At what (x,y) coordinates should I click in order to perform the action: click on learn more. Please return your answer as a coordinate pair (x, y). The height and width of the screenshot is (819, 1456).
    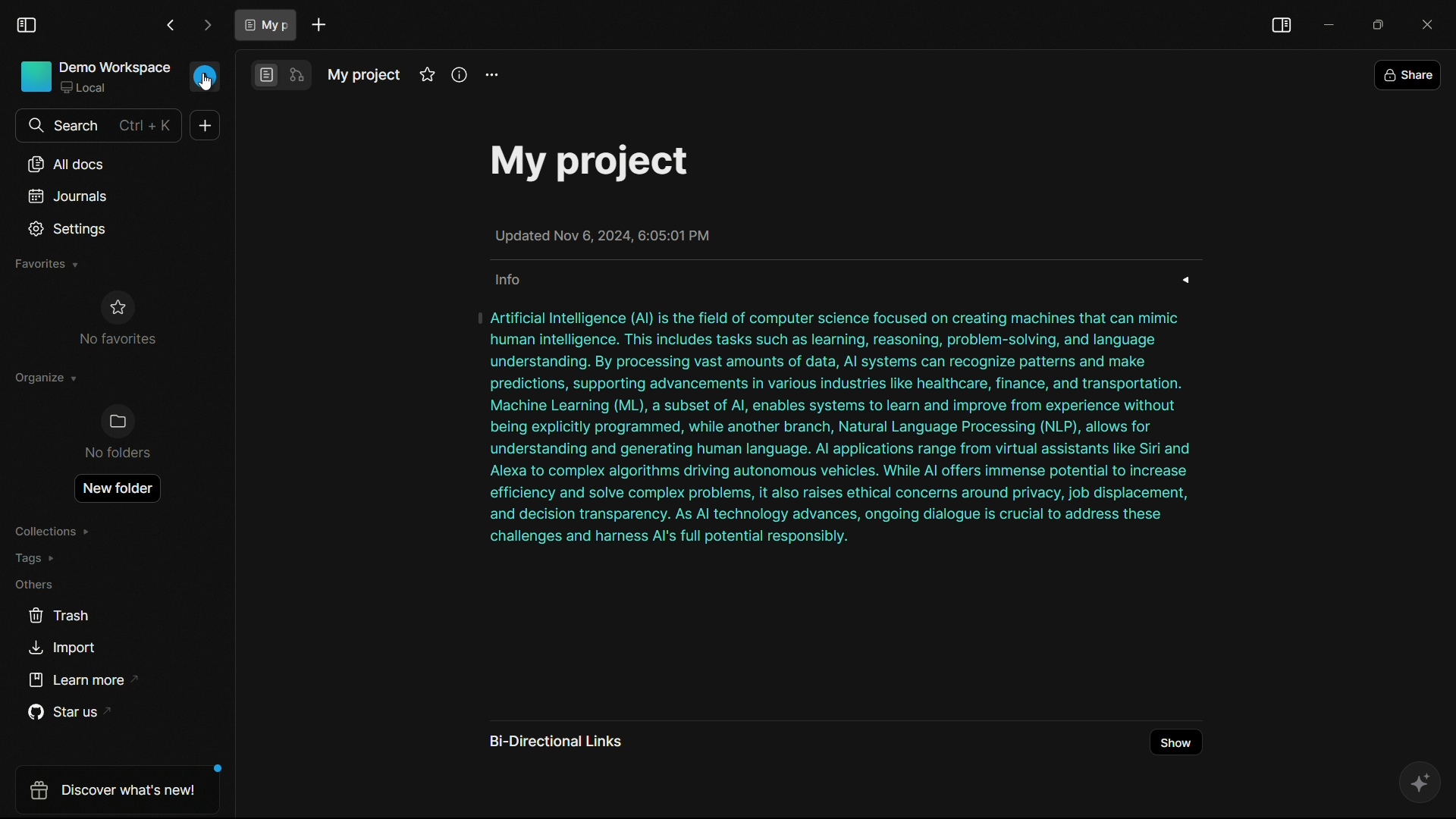
    Looking at the image, I should click on (79, 680).